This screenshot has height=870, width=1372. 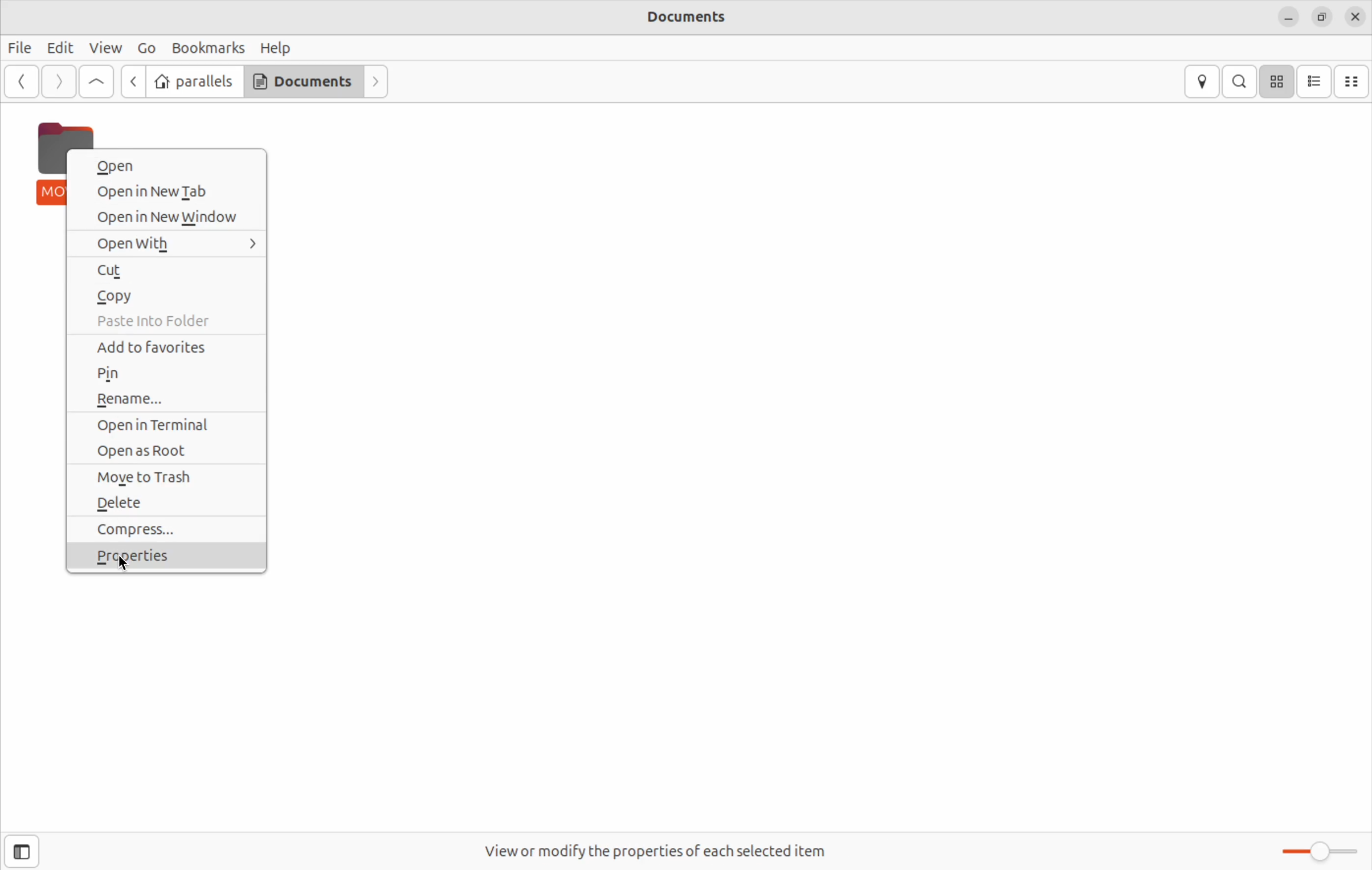 I want to click on minimize, so click(x=1288, y=15).